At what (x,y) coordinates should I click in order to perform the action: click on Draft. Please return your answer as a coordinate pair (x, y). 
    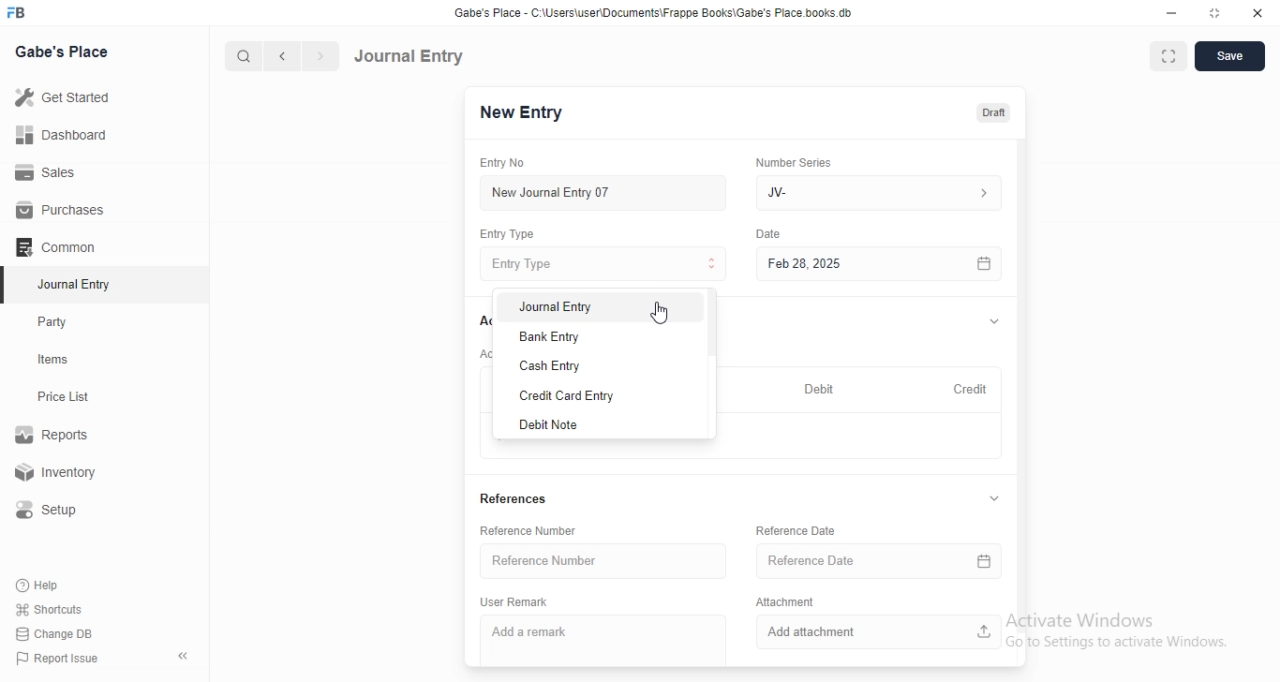
    Looking at the image, I should click on (993, 113).